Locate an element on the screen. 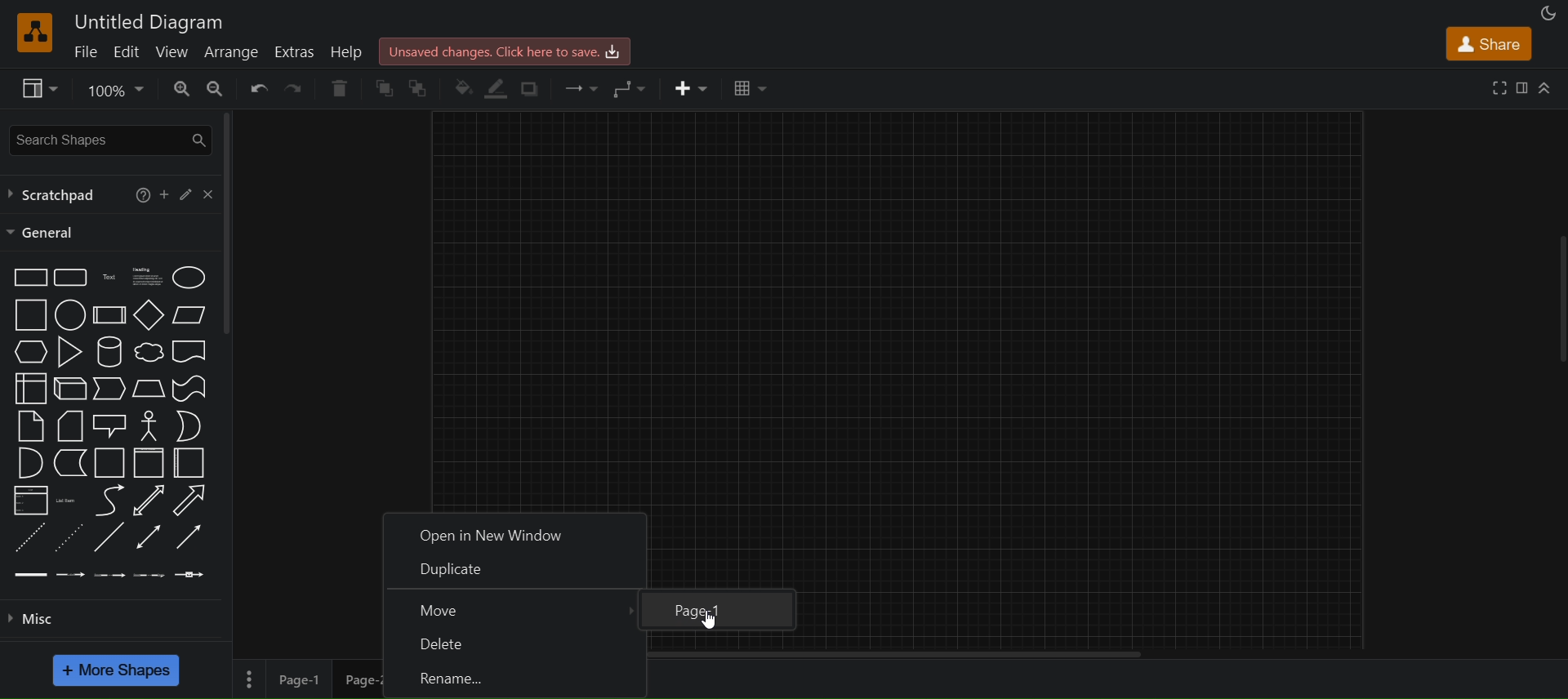 The height and width of the screenshot is (699, 1568). page options is located at coordinates (248, 678).